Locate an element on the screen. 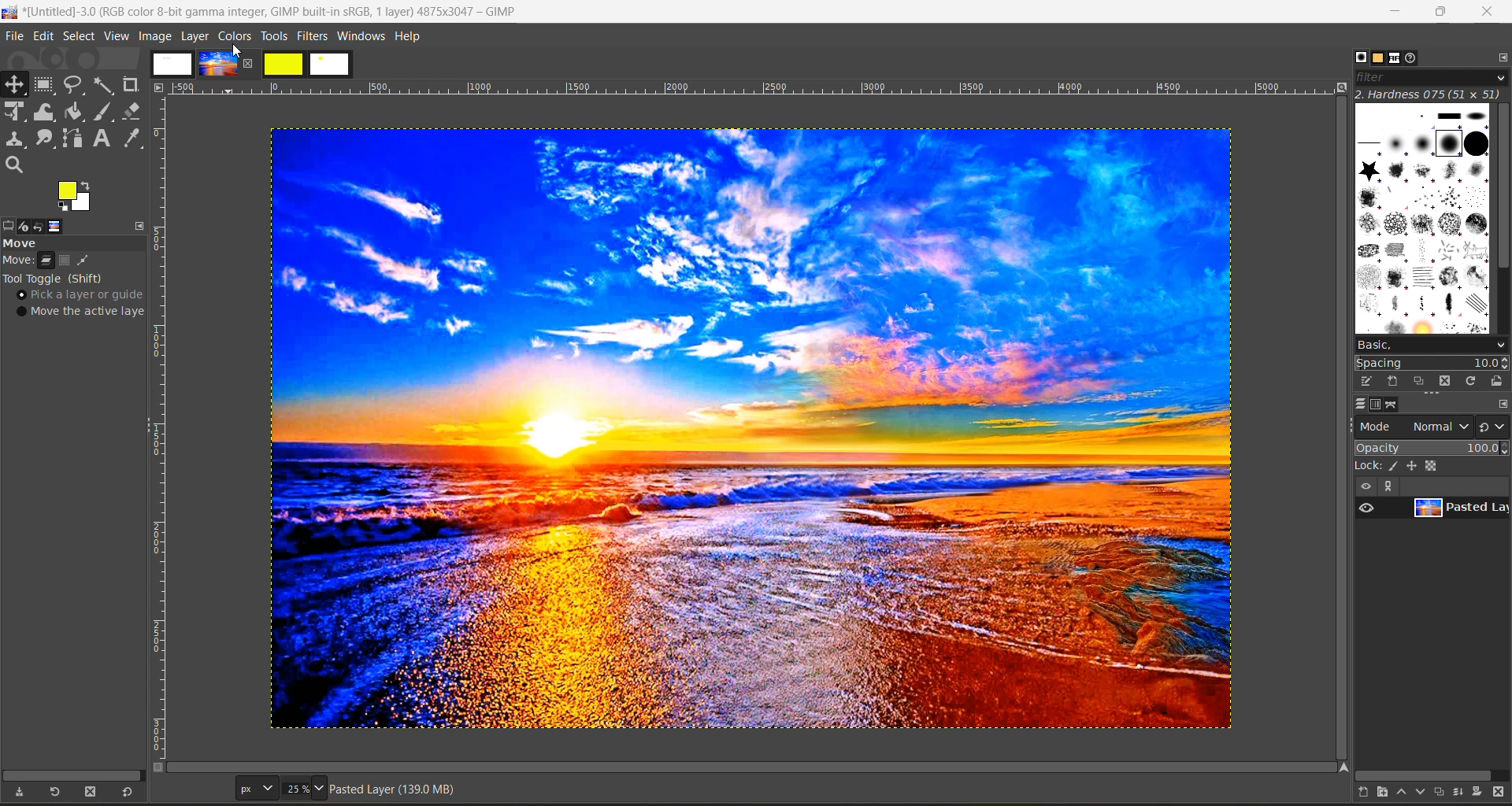 This screenshot has width=1512, height=806. refresh brush is located at coordinates (1474, 384).